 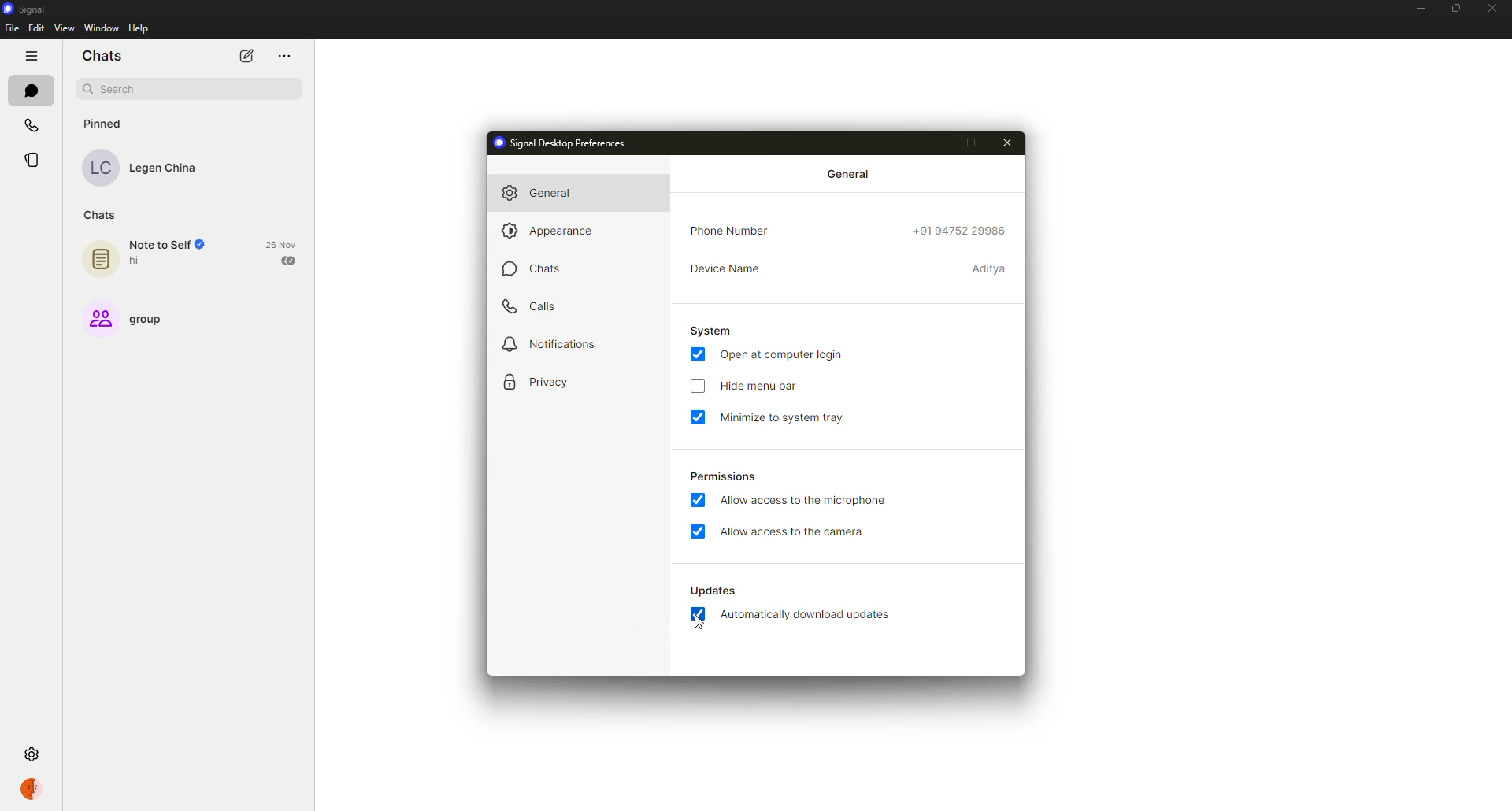 What do you see at coordinates (803, 500) in the screenshot?
I see `allow access to microphone` at bounding box center [803, 500].